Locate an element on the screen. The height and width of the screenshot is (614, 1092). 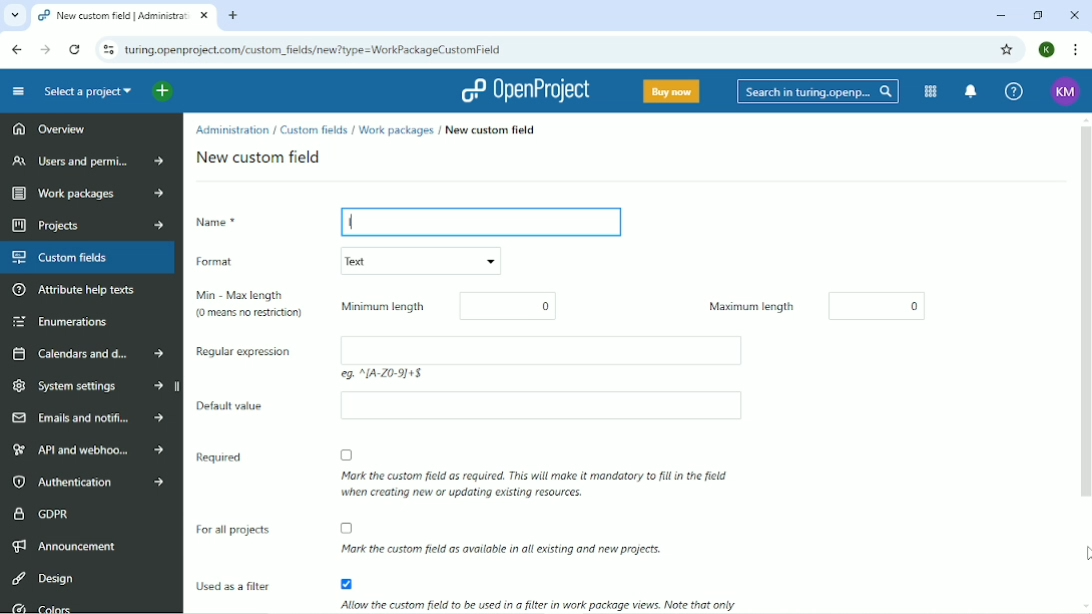
Min-Max length (0 means no restriction is located at coordinates (248, 306).